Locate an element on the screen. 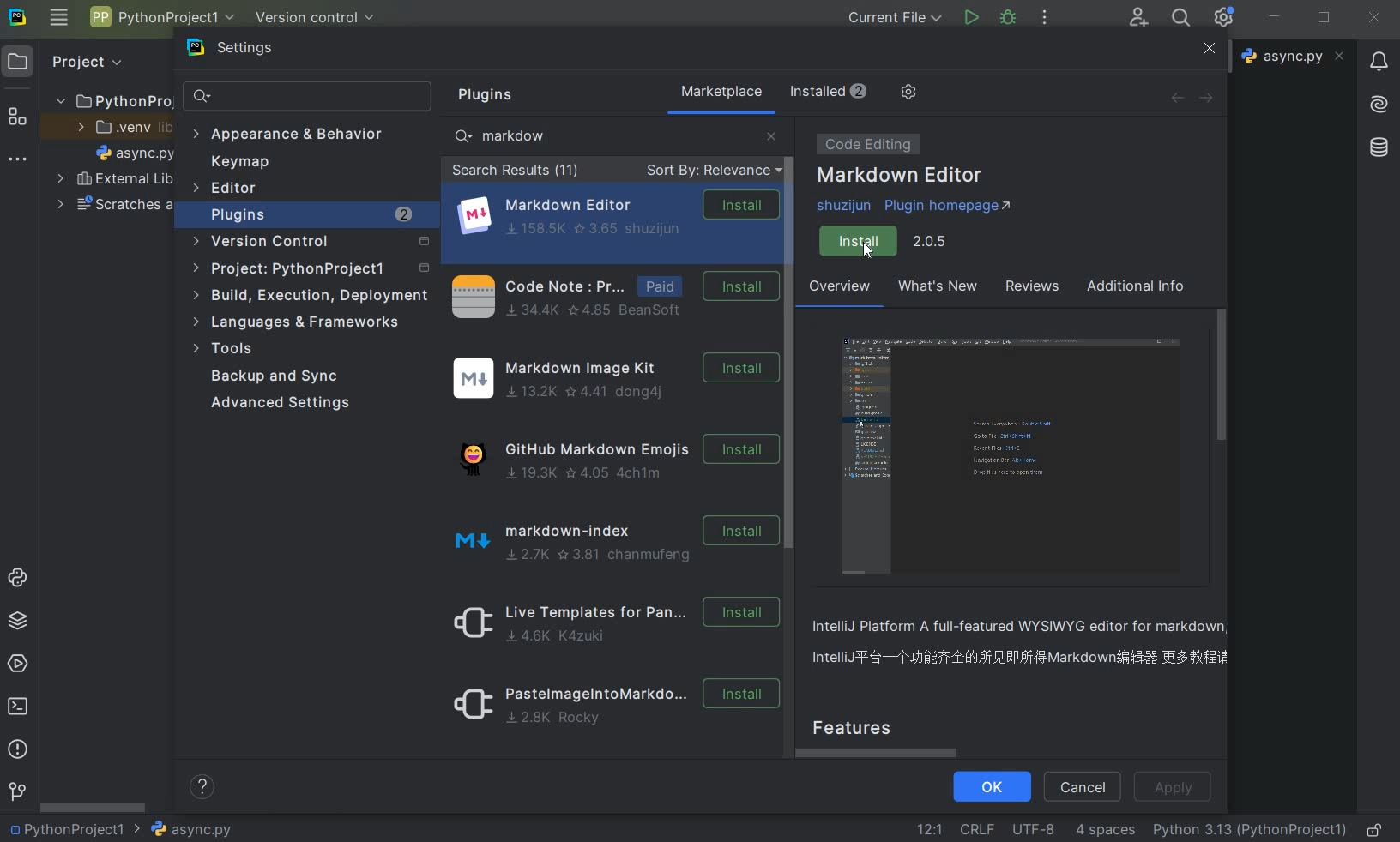 This screenshot has width=1400, height=842. advanced settings is located at coordinates (283, 403).